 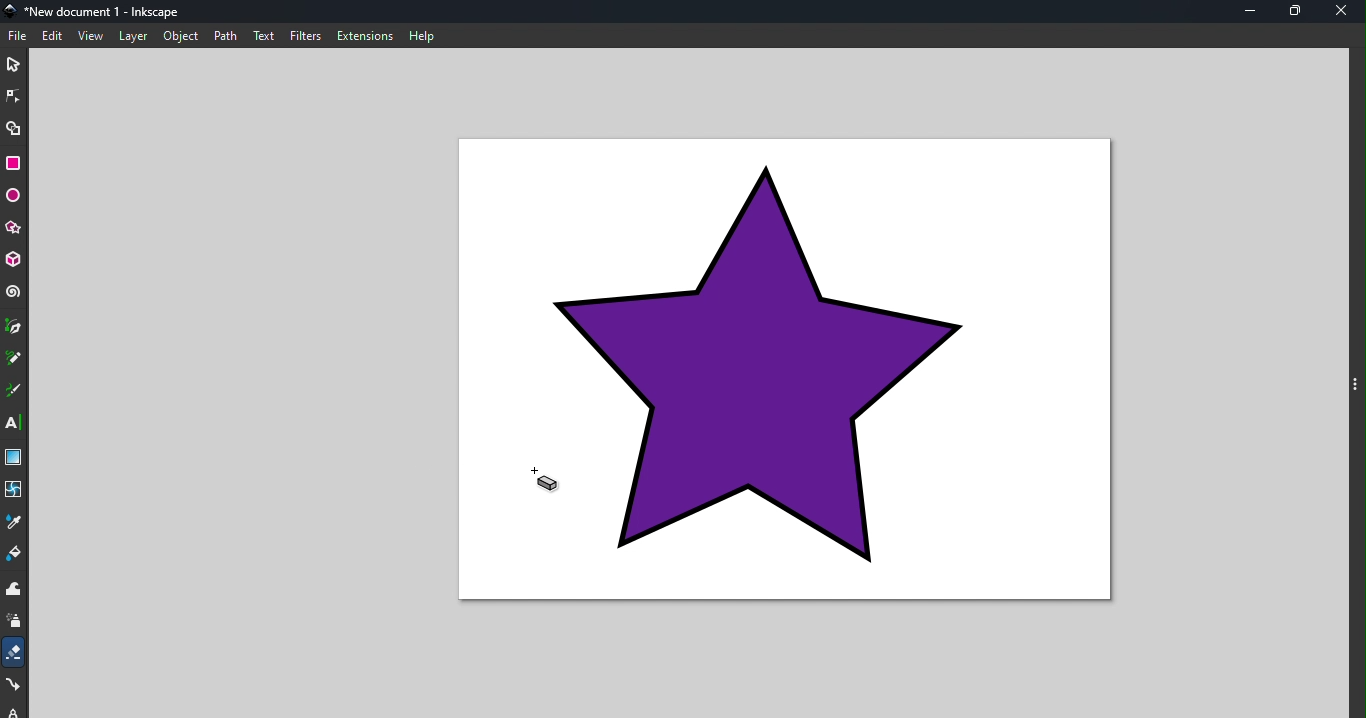 I want to click on object, so click(x=181, y=35).